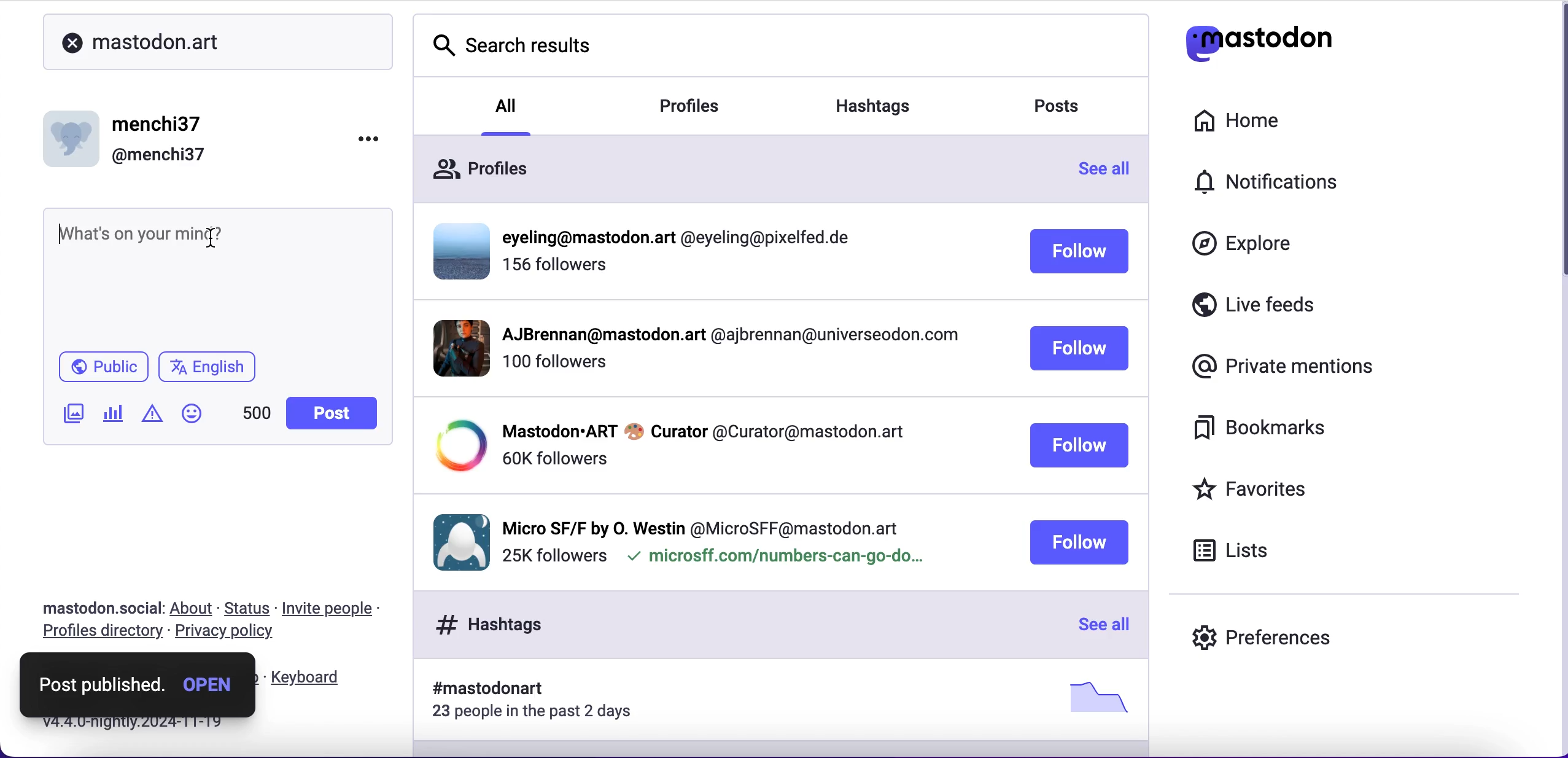 This screenshot has height=758, width=1568. I want to click on keyboard, so click(309, 678).